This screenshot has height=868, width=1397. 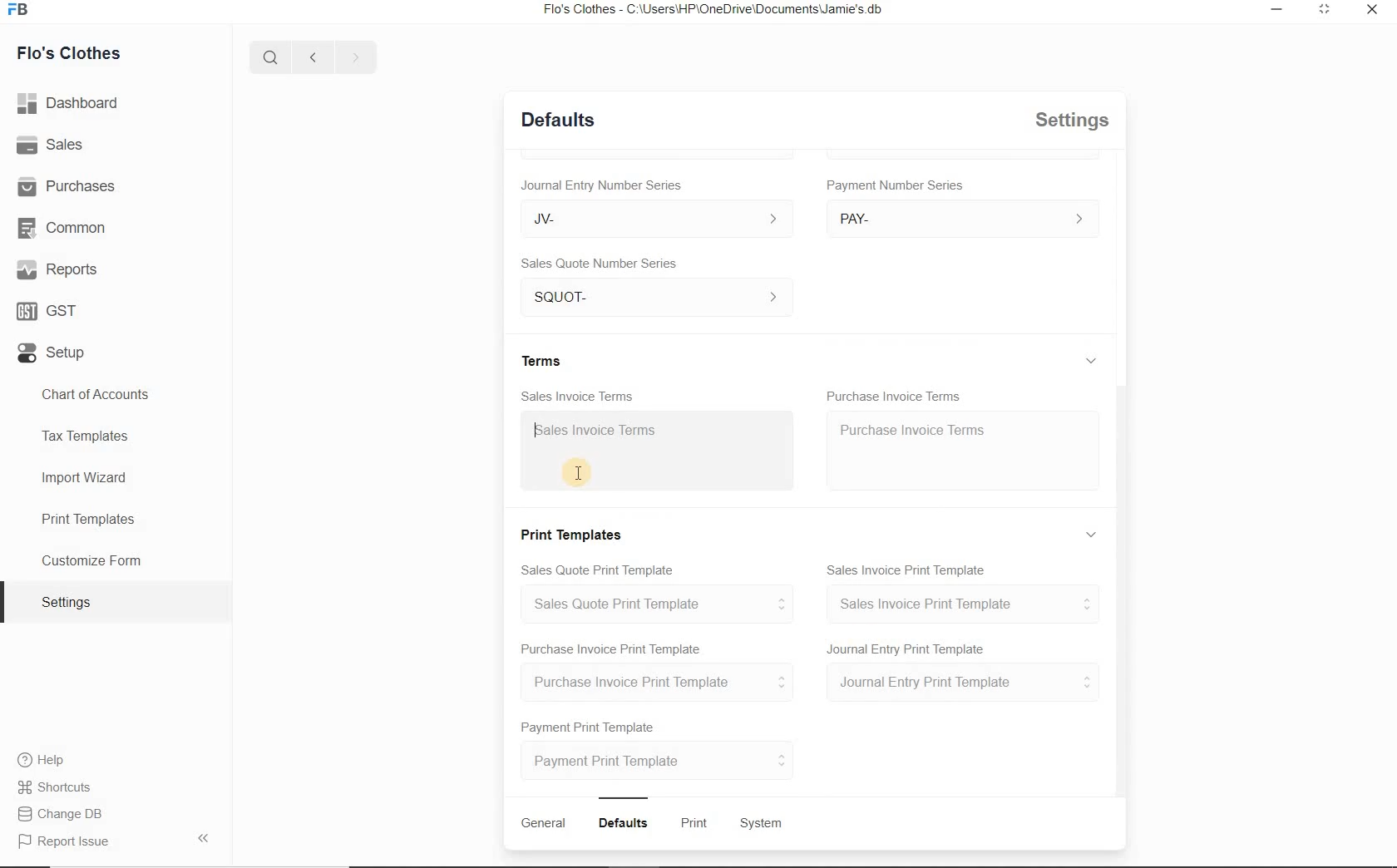 I want to click on Shortcuts, so click(x=56, y=787).